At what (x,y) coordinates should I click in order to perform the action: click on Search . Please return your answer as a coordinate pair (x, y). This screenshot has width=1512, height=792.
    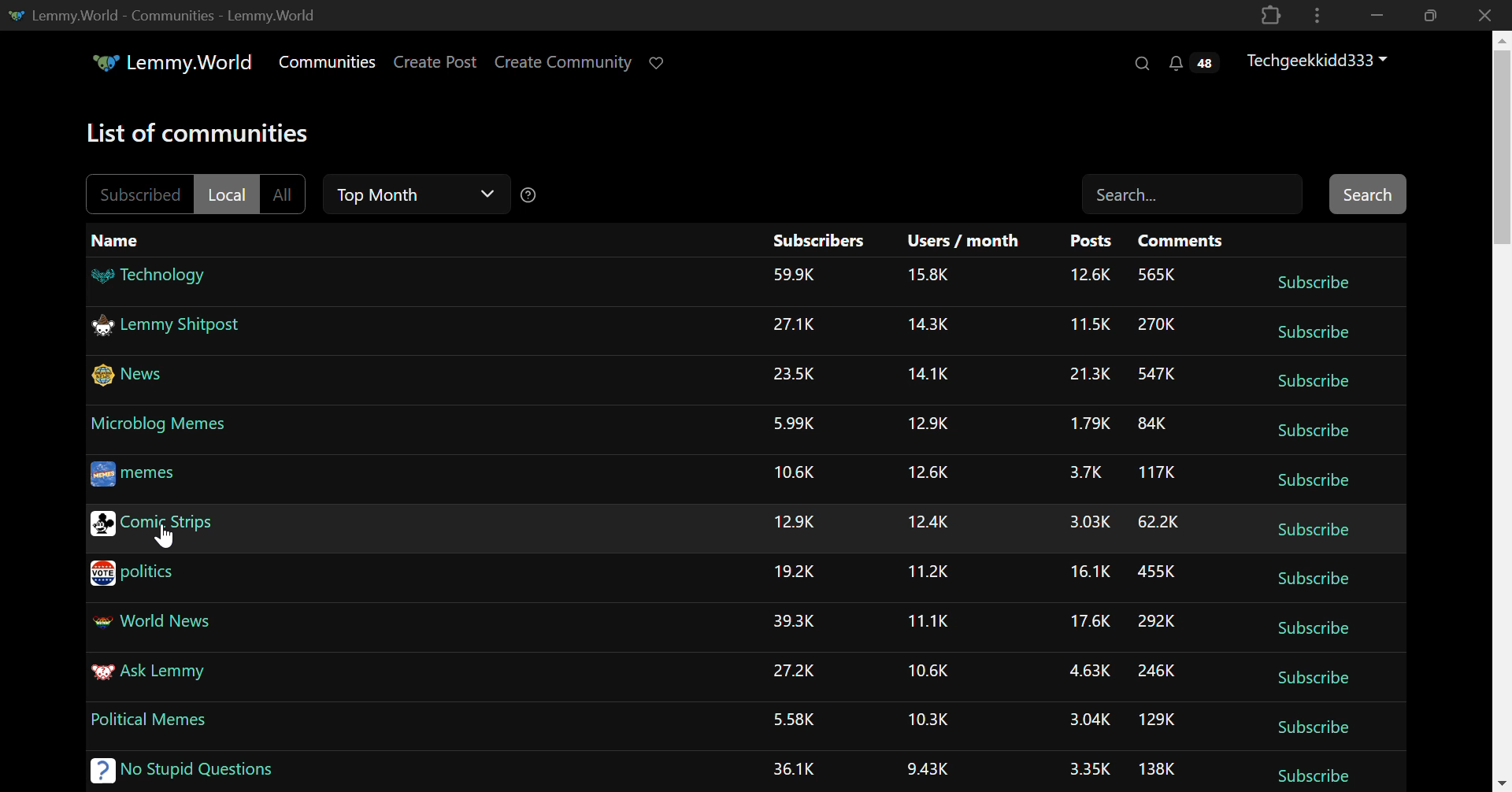
    Looking at the image, I should click on (1141, 63).